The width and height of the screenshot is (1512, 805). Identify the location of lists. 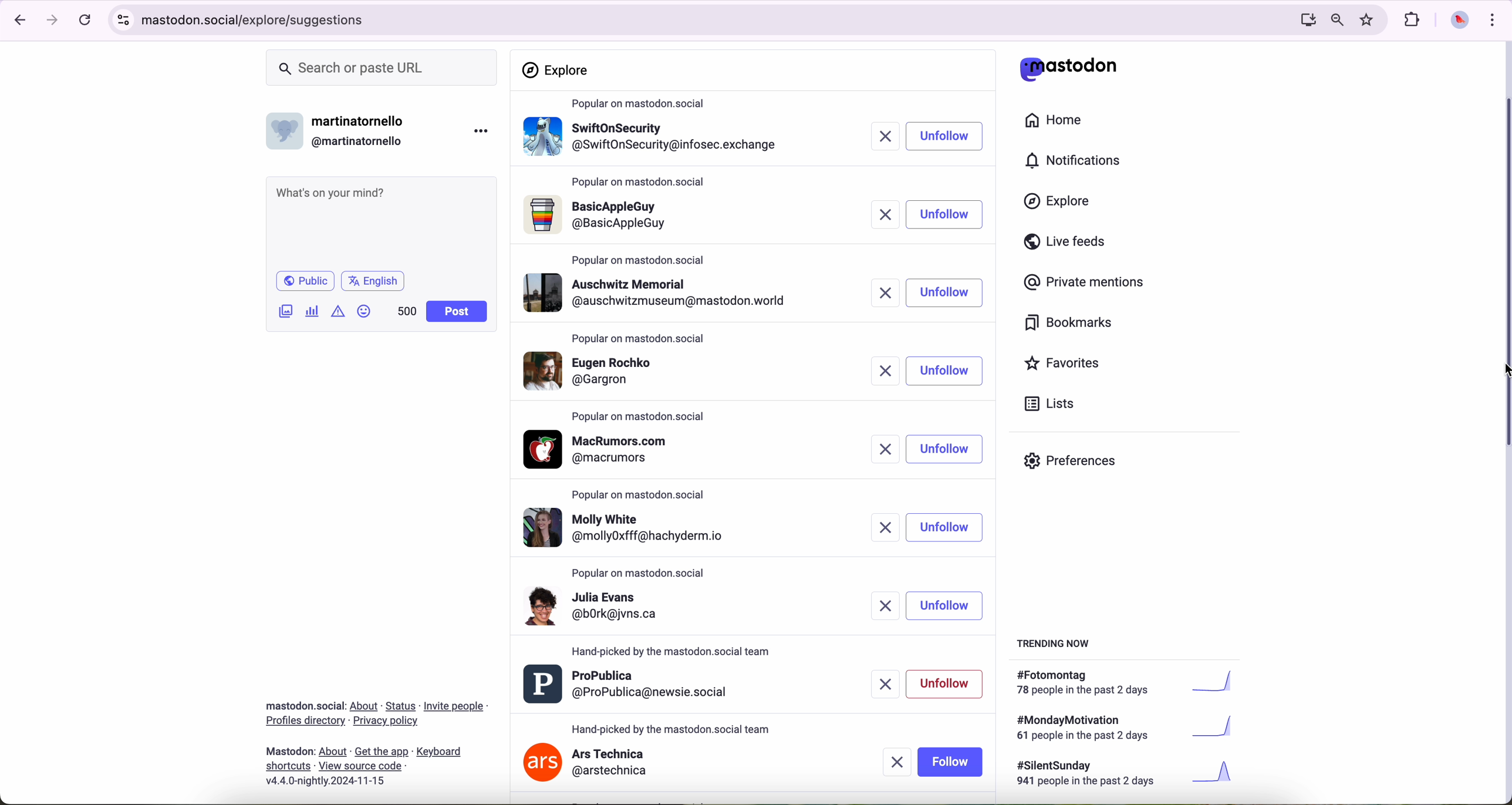
(1045, 403).